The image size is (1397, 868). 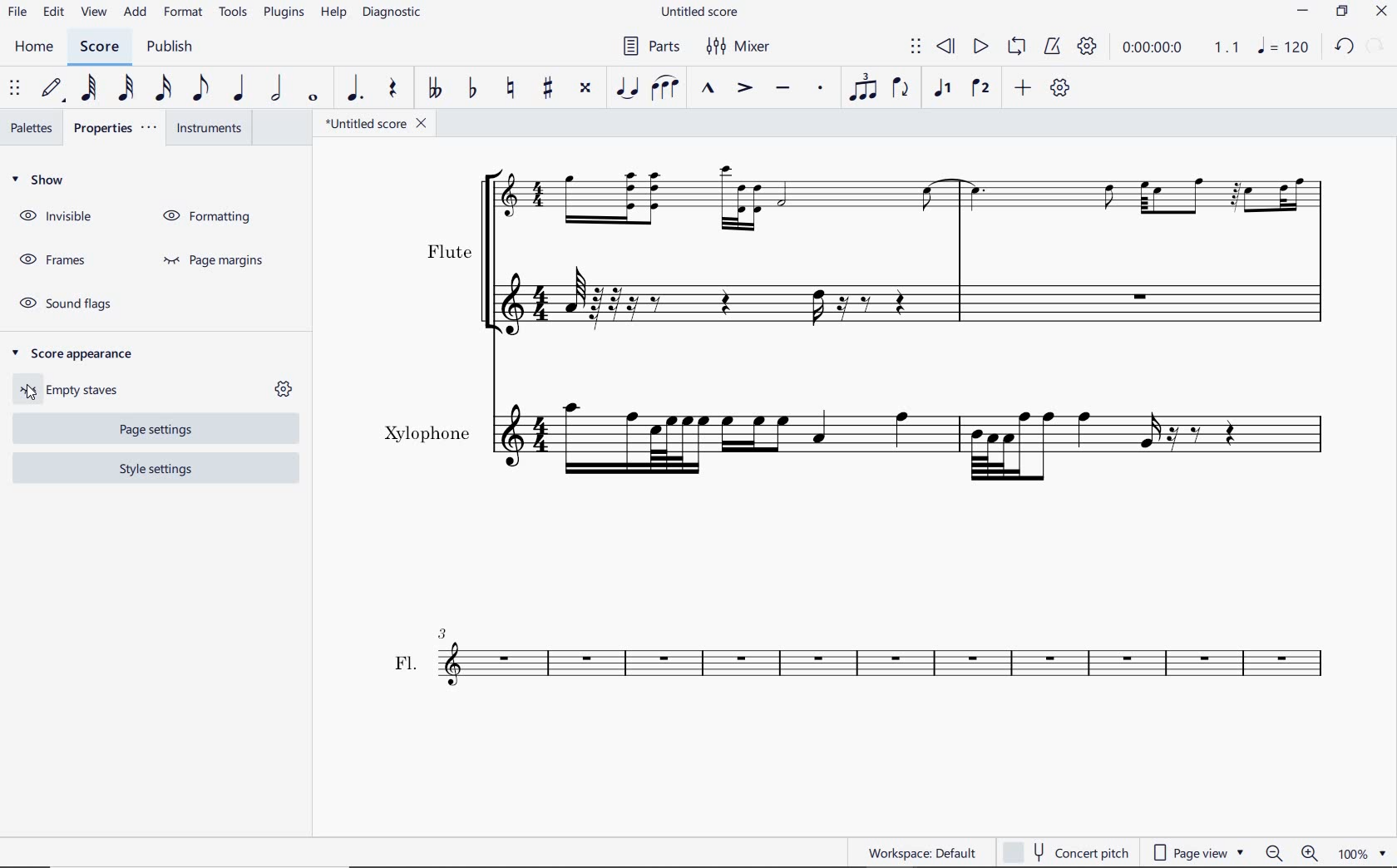 What do you see at coordinates (1198, 852) in the screenshot?
I see `page view` at bounding box center [1198, 852].